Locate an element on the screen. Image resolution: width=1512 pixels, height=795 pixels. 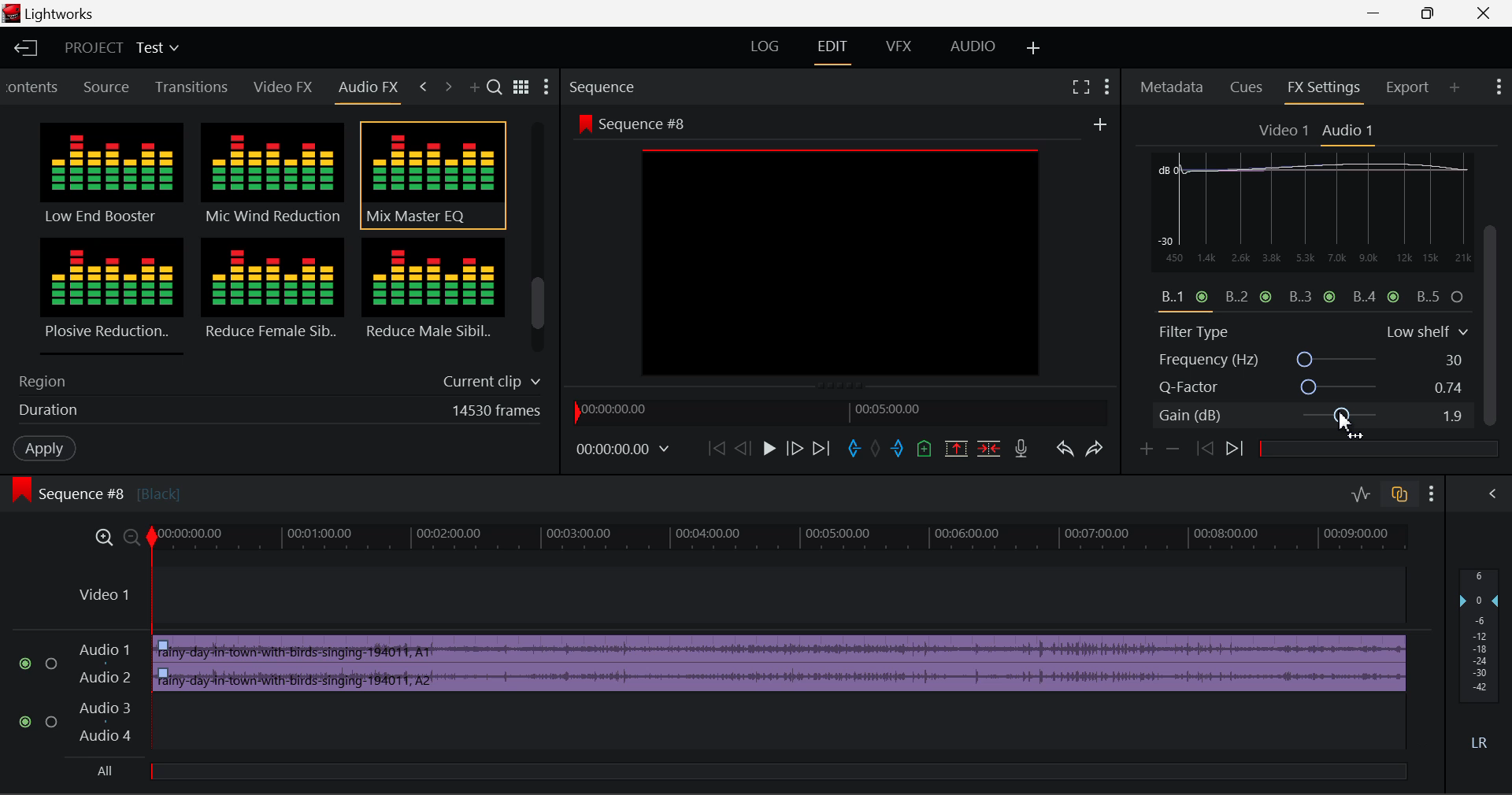
FX Settings Open is located at coordinates (1325, 91).